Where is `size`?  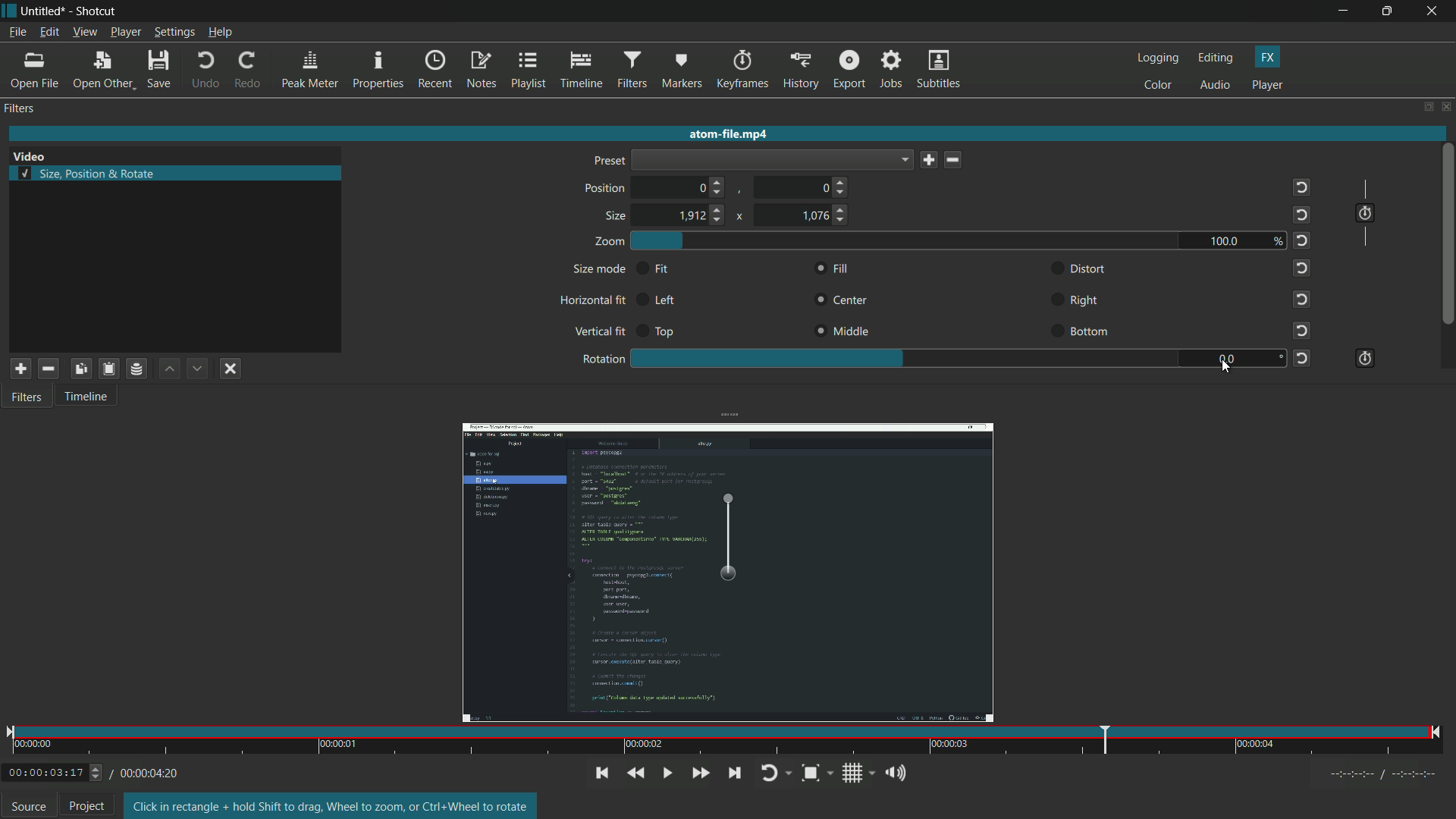 size is located at coordinates (617, 217).